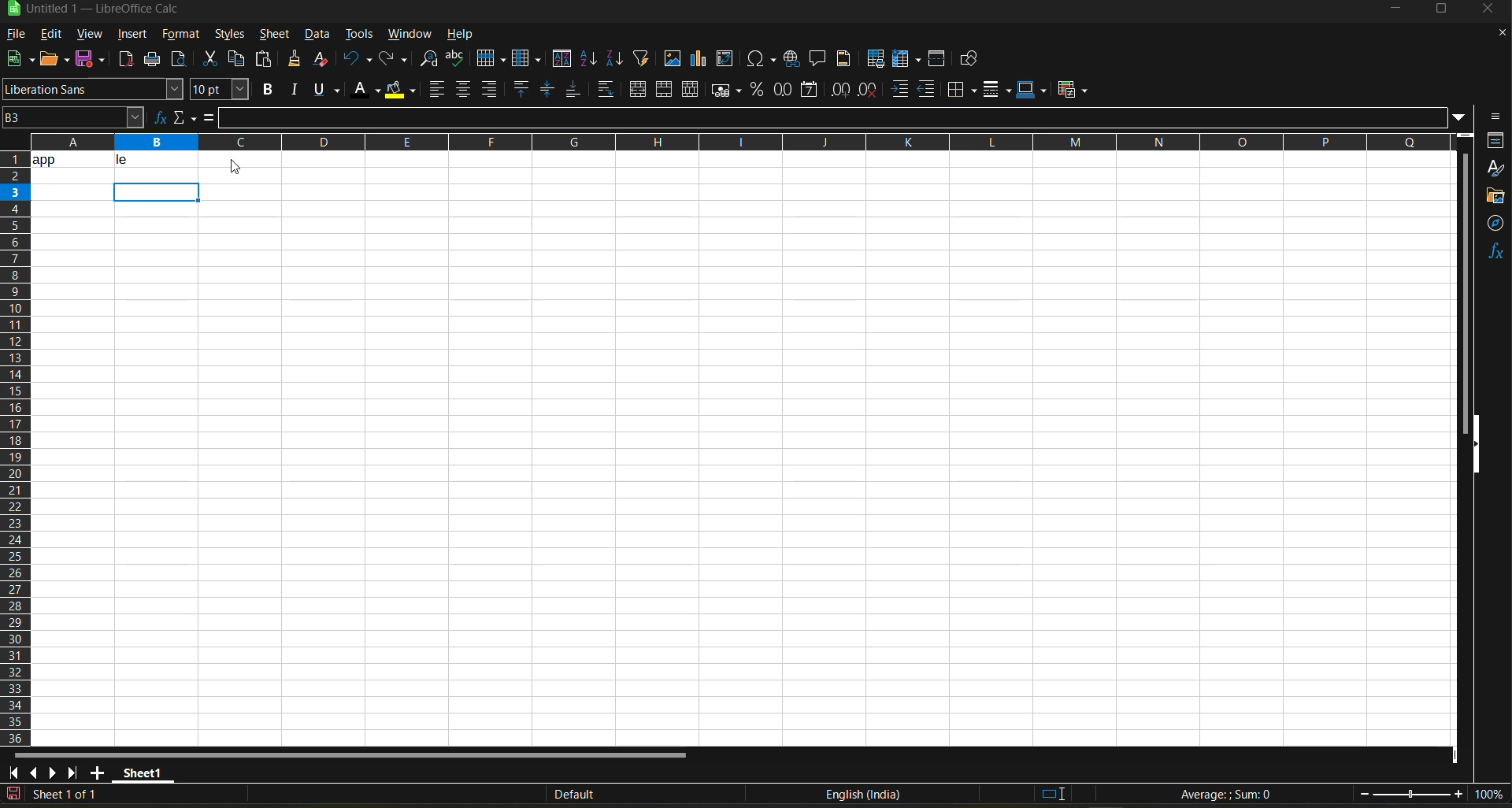 The width and height of the screenshot is (1512, 808). Describe the element at coordinates (902, 60) in the screenshot. I see `freeze rows and columns` at that location.